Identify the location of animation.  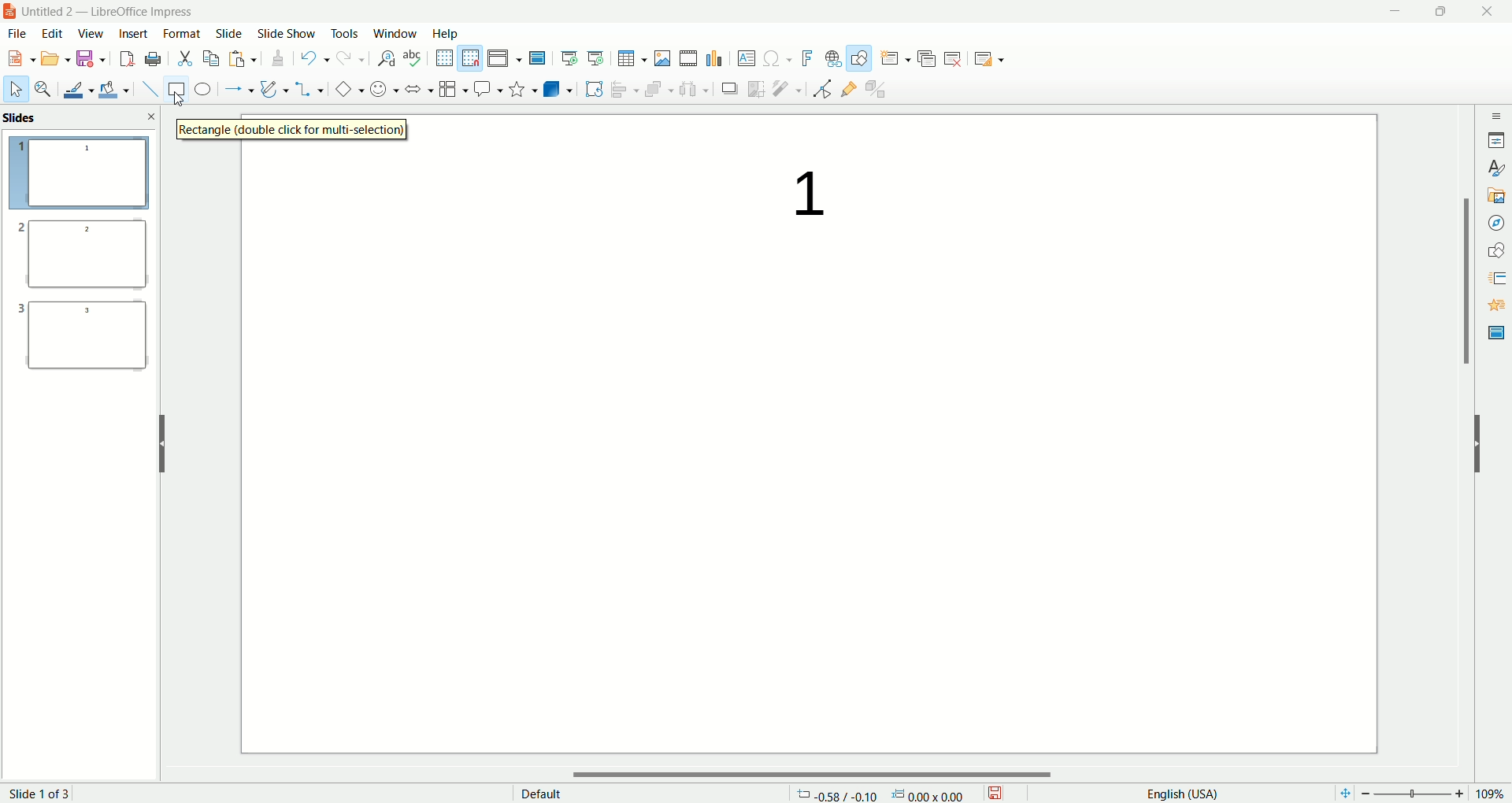
(1495, 305).